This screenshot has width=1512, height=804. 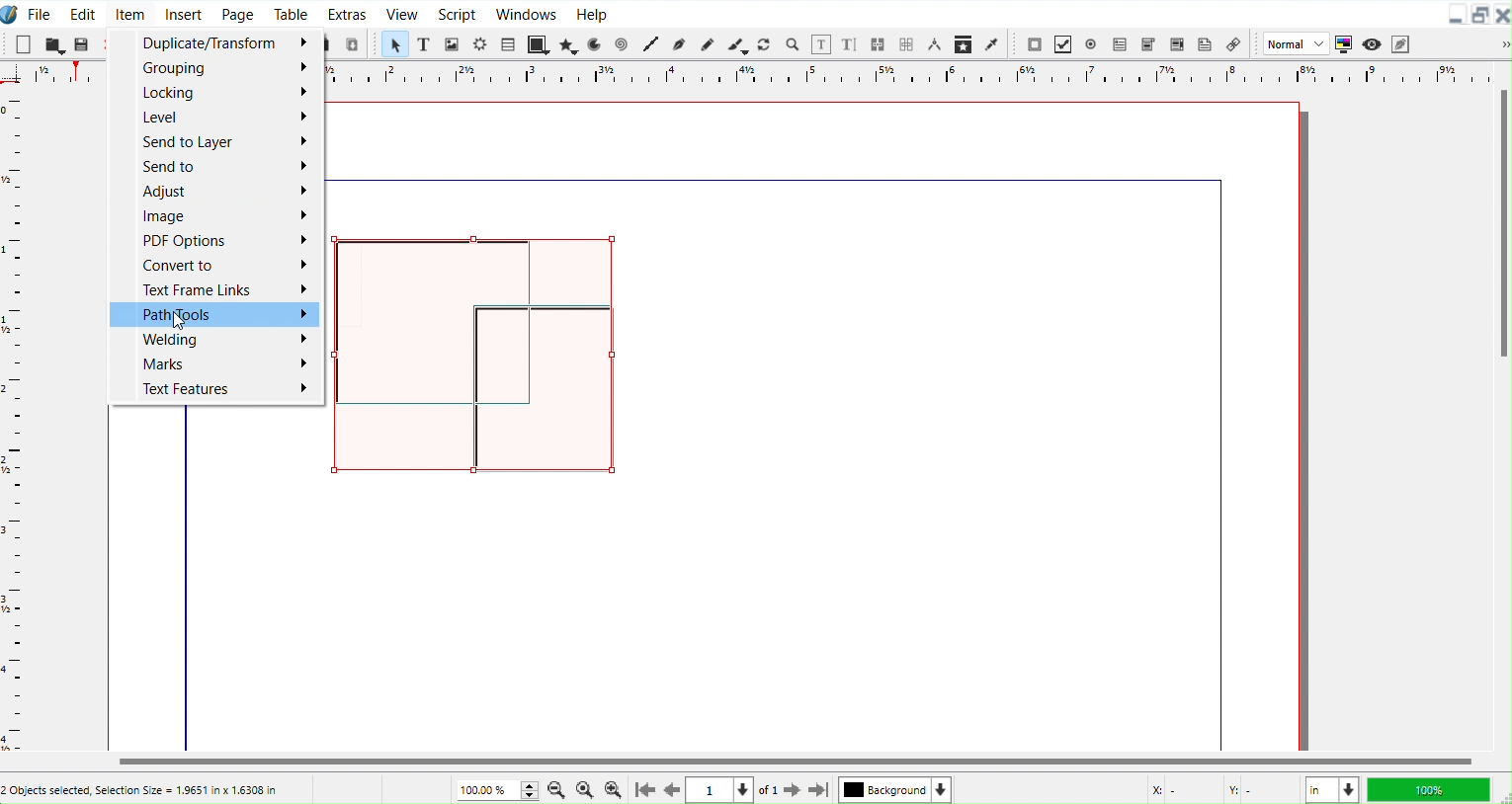 What do you see at coordinates (966, 43) in the screenshot?
I see `Copy Item Properties` at bounding box center [966, 43].